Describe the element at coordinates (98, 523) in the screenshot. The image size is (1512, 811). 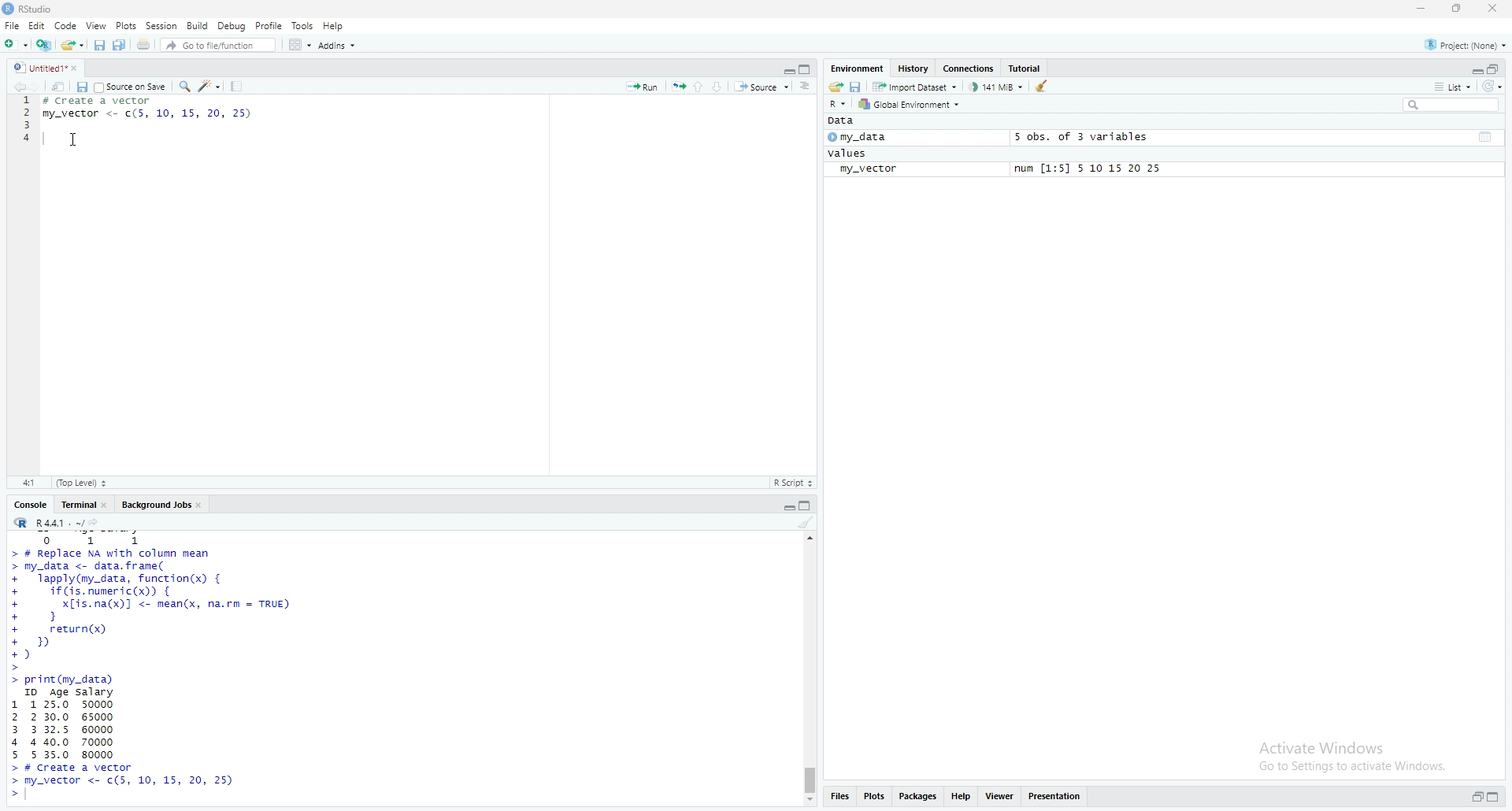
I see `view the current working directory` at that location.